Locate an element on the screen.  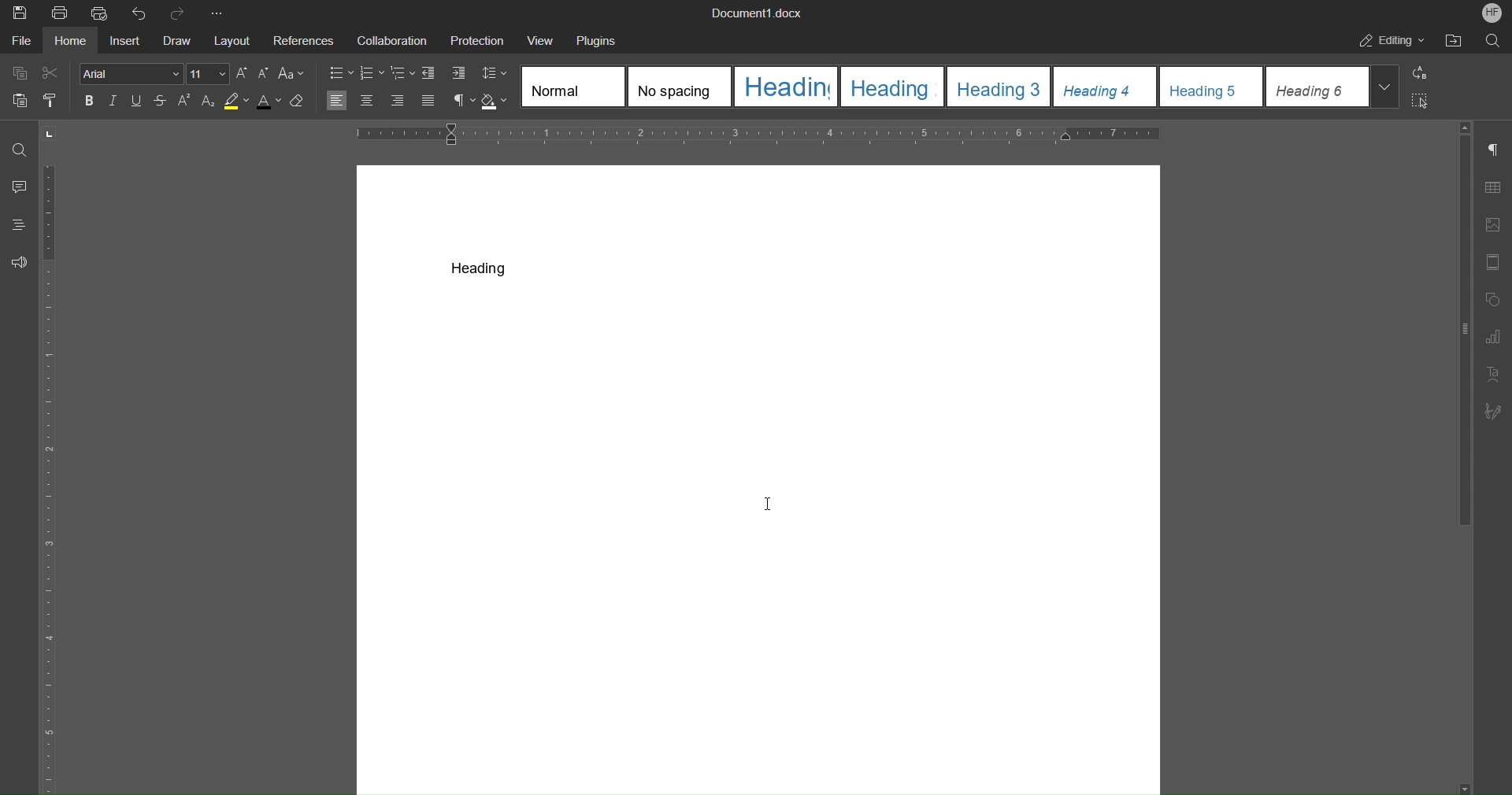
Strikethrough is located at coordinates (162, 102).